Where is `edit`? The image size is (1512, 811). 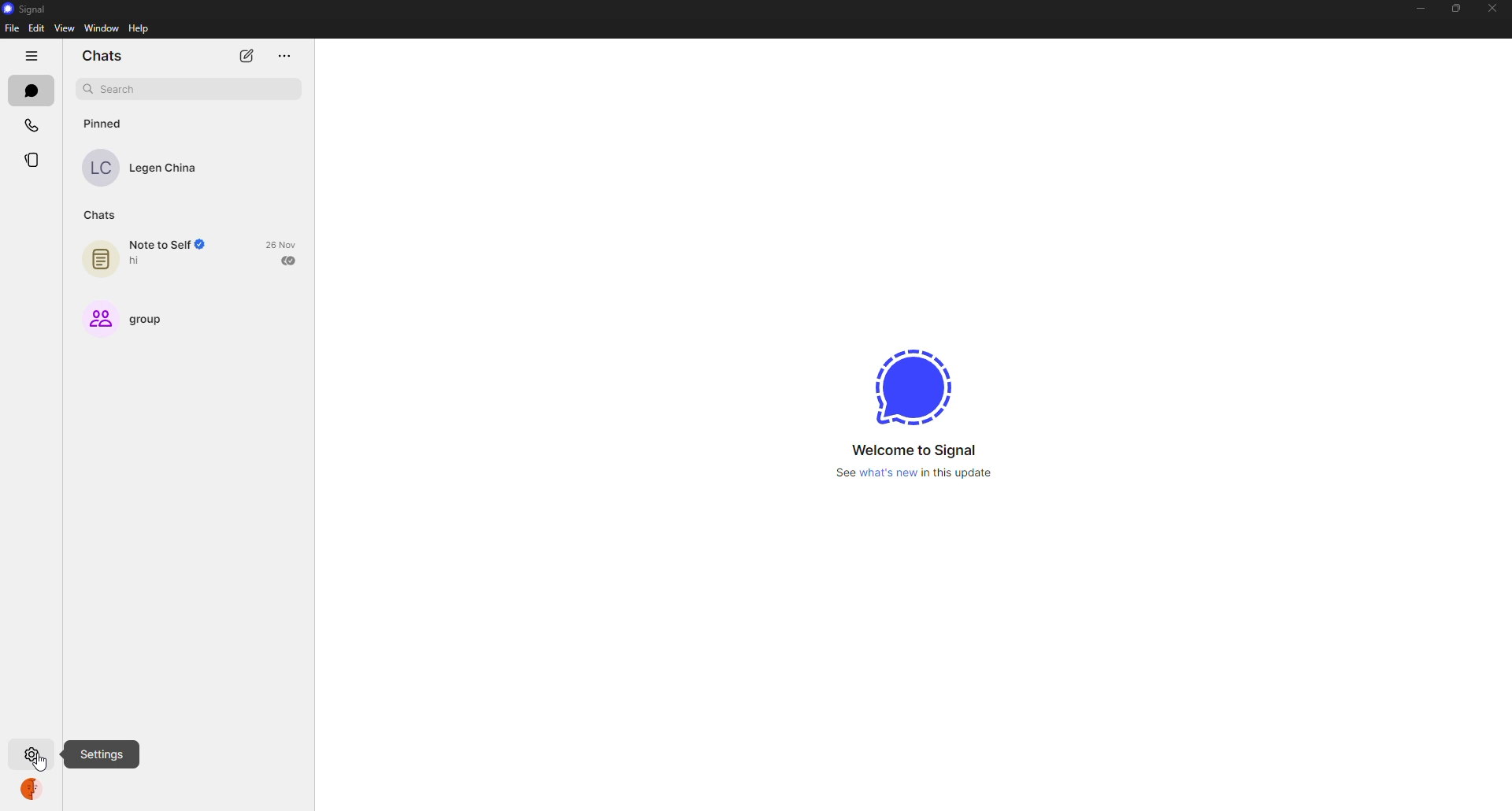
edit is located at coordinates (36, 27).